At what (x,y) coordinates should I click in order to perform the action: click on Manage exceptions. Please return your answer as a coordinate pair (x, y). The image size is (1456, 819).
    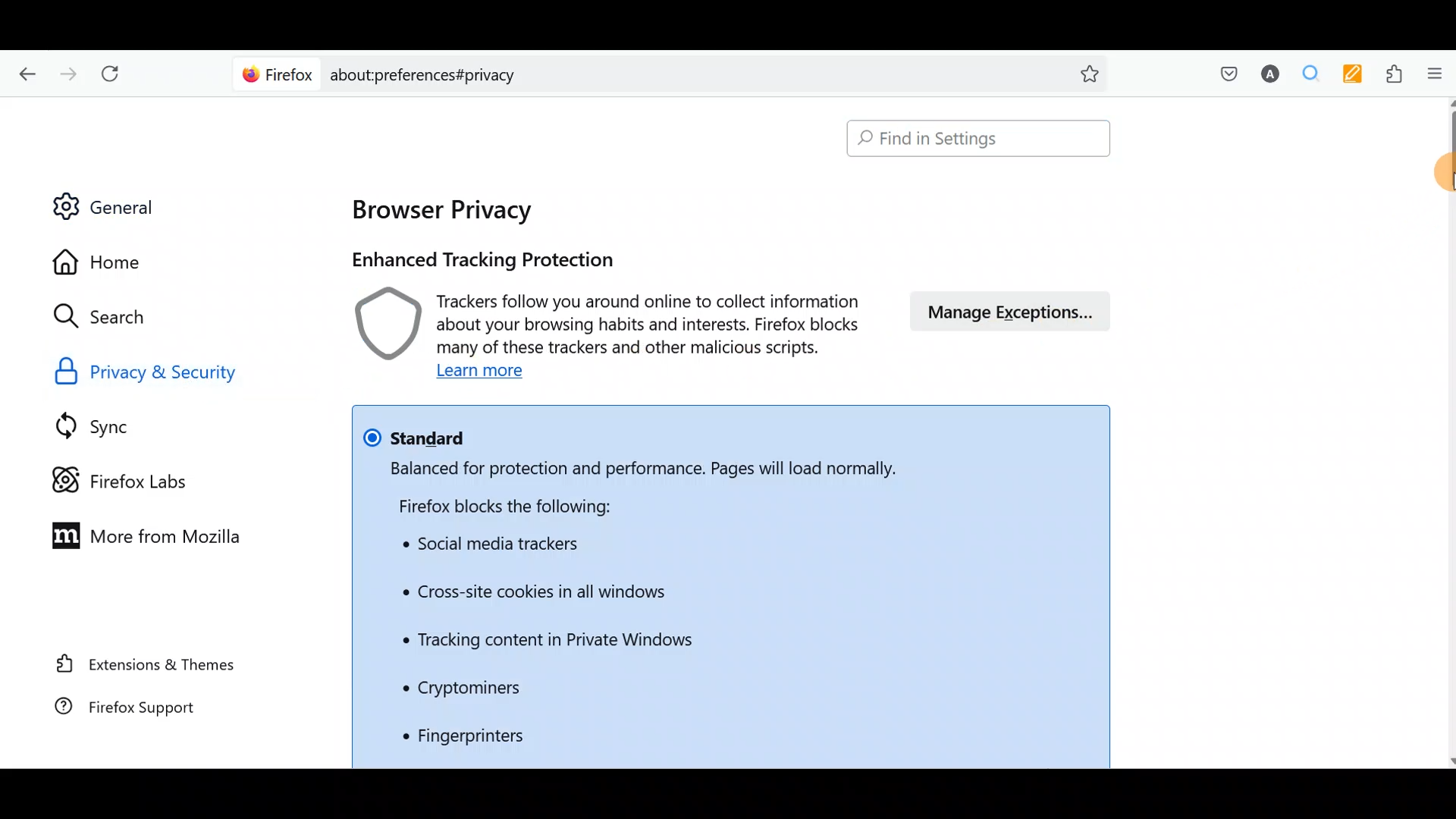
    Looking at the image, I should click on (1016, 312).